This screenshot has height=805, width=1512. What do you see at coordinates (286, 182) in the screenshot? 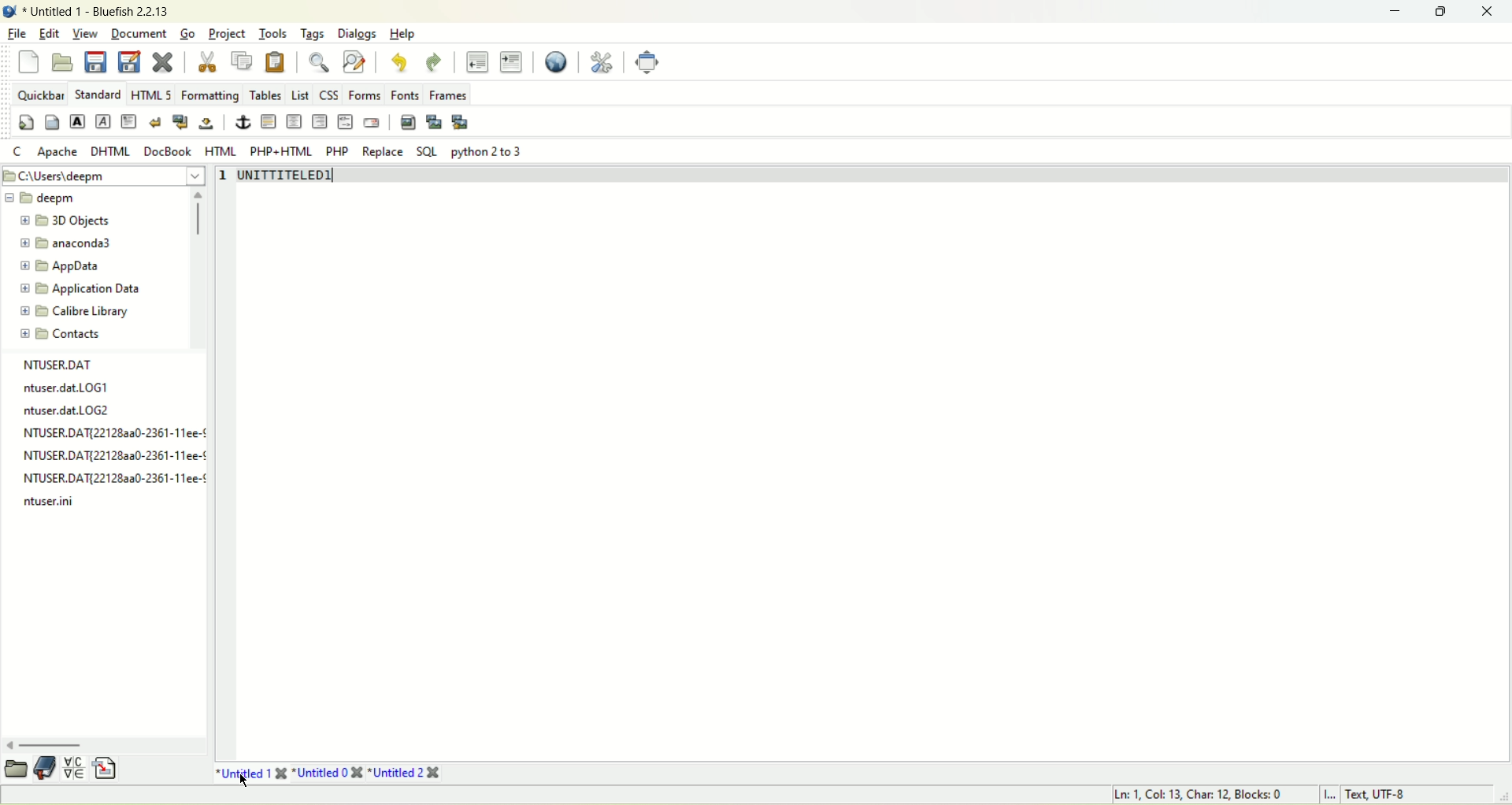
I see `UNITTITELED1` at bounding box center [286, 182].